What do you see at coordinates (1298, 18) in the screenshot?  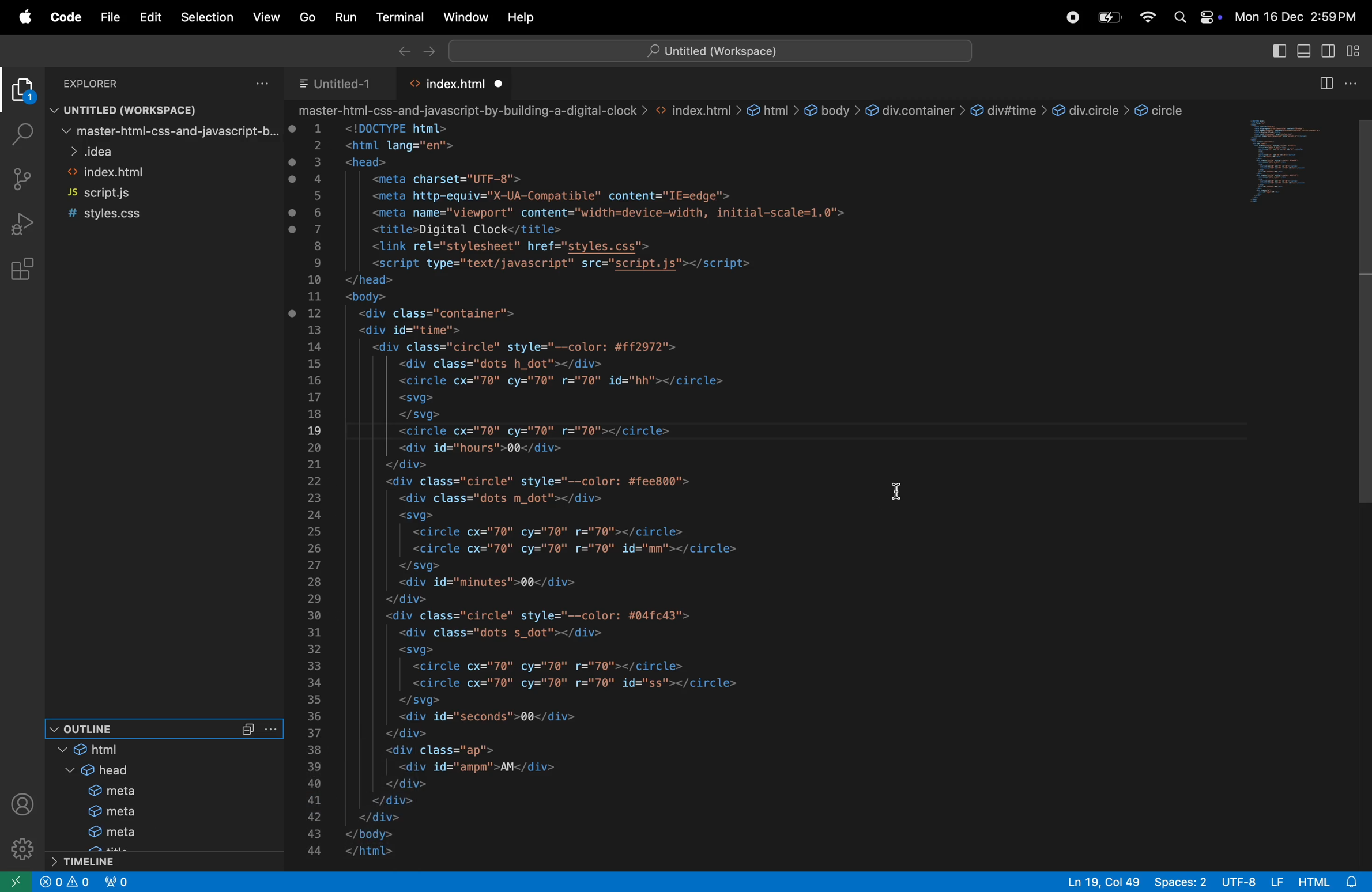 I see `Mon 16 Dec 2:59 PM` at bounding box center [1298, 18].